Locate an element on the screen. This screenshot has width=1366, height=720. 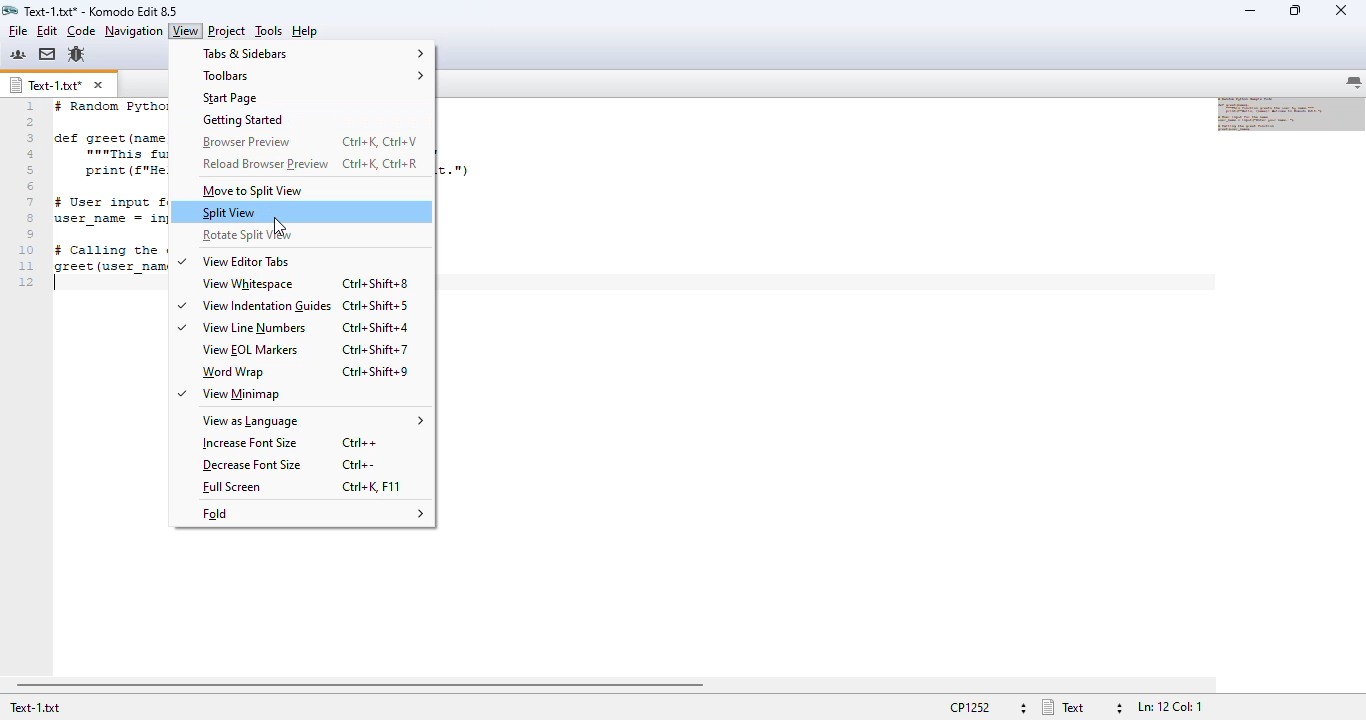
shortcut for word wrap is located at coordinates (375, 371).